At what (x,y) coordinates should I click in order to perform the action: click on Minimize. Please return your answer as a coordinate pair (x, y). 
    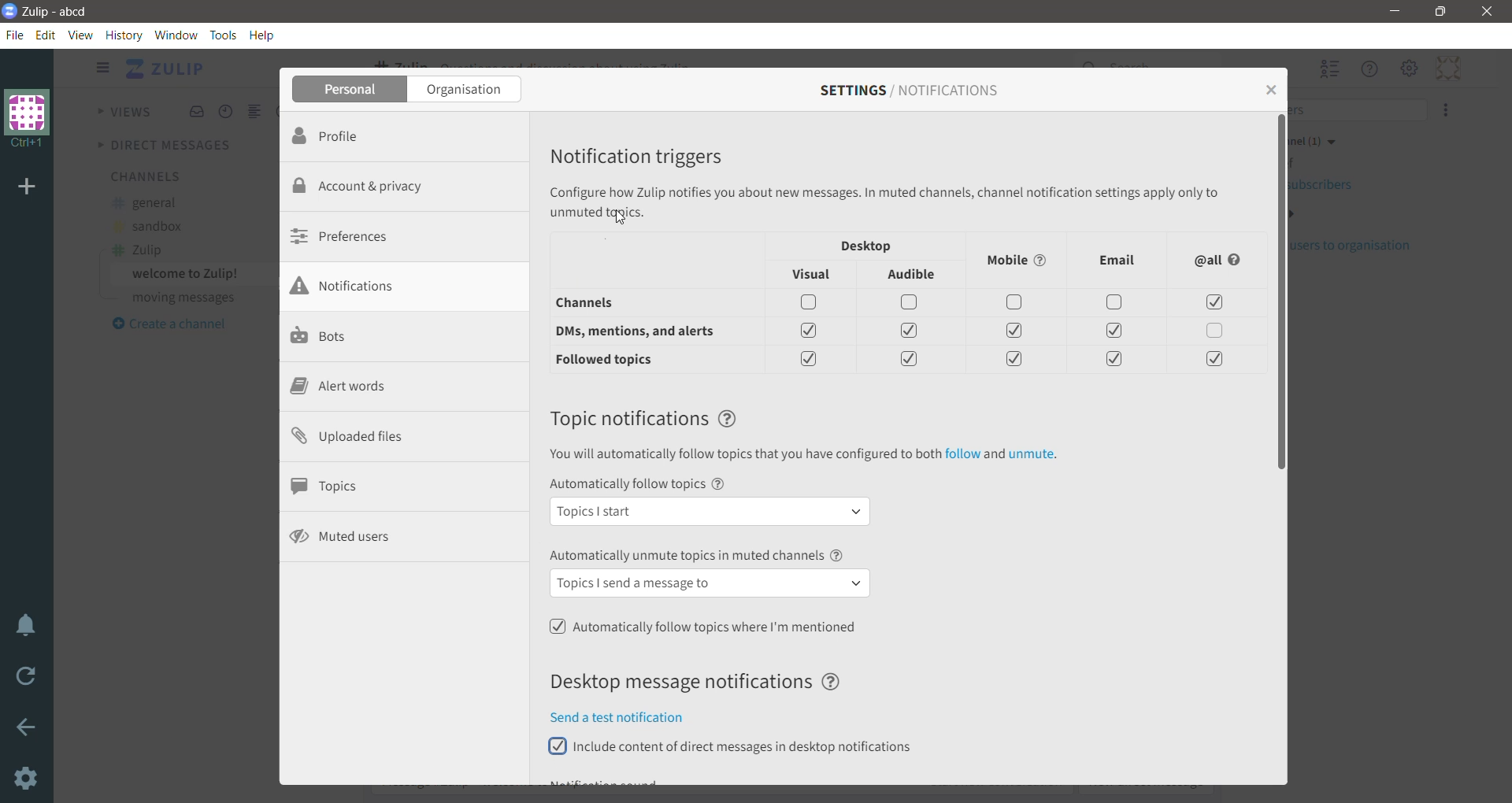
    Looking at the image, I should click on (1393, 12).